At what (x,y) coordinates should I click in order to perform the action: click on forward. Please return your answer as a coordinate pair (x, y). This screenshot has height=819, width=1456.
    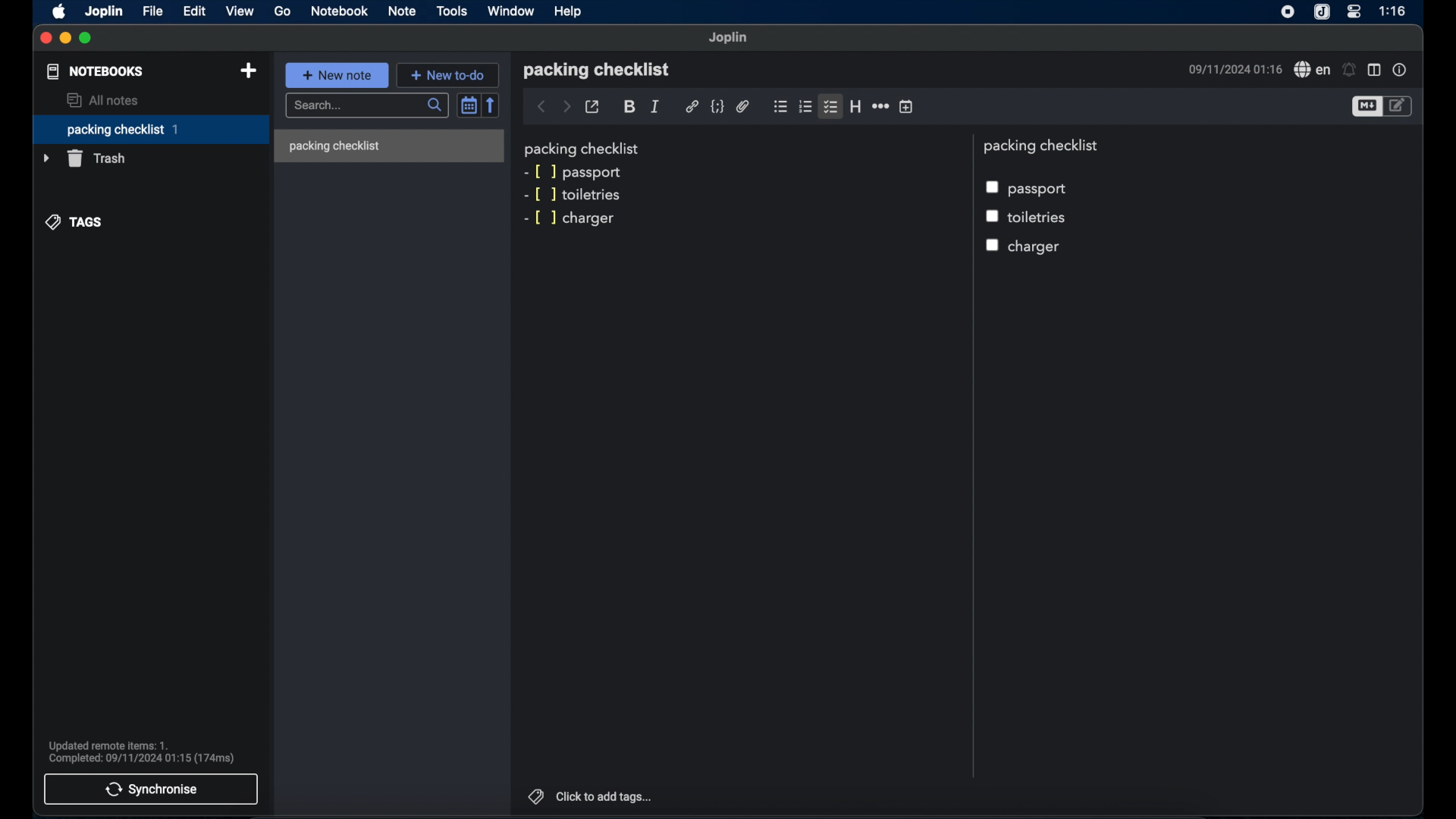
    Looking at the image, I should click on (566, 106).